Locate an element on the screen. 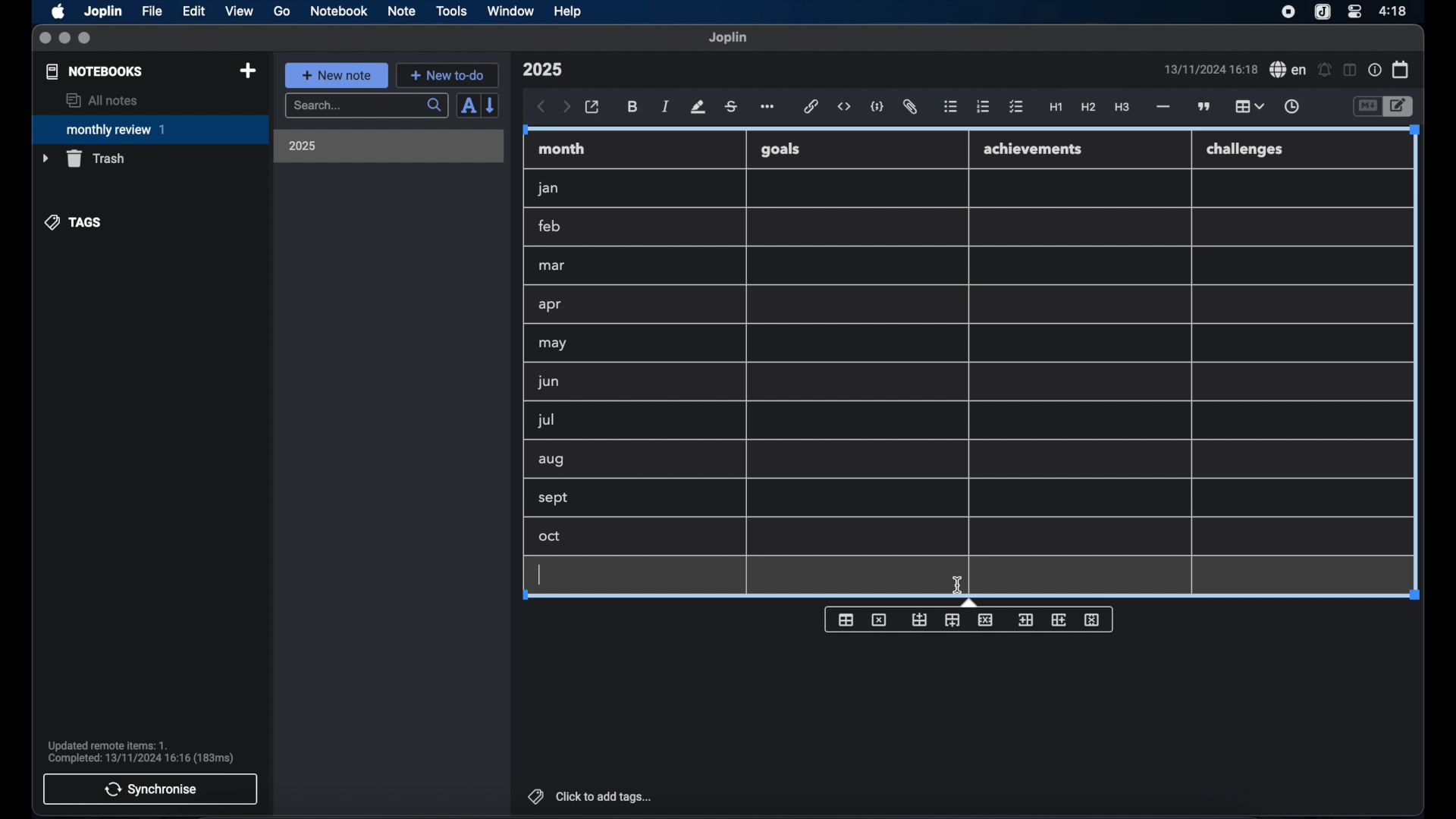 Image resolution: width=1456 pixels, height=819 pixels. strikethrough is located at coordinates (730, 107).